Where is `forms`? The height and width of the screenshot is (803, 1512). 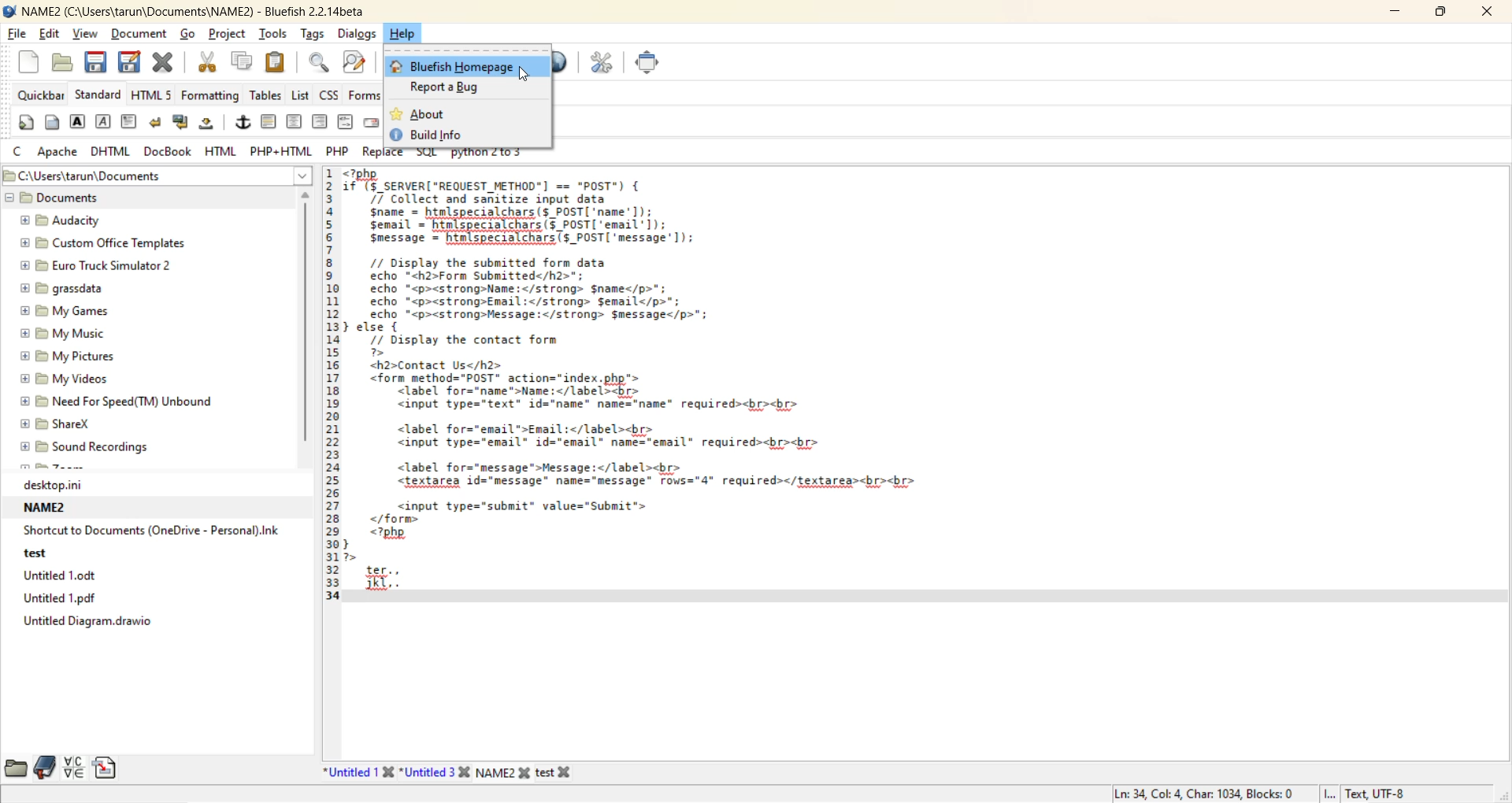
forms is located at coordinates (366, 96).